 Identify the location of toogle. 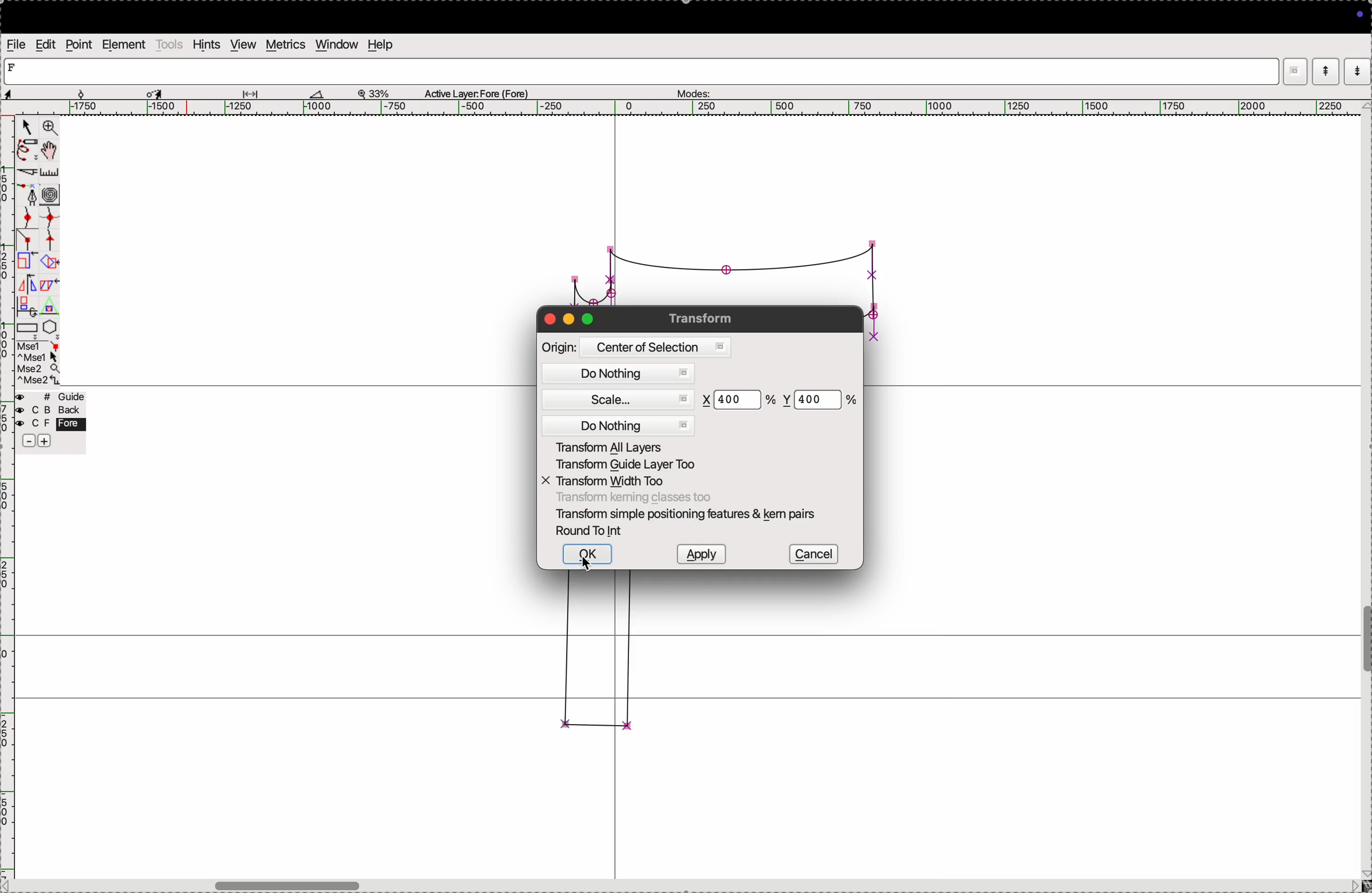
(311, 883).